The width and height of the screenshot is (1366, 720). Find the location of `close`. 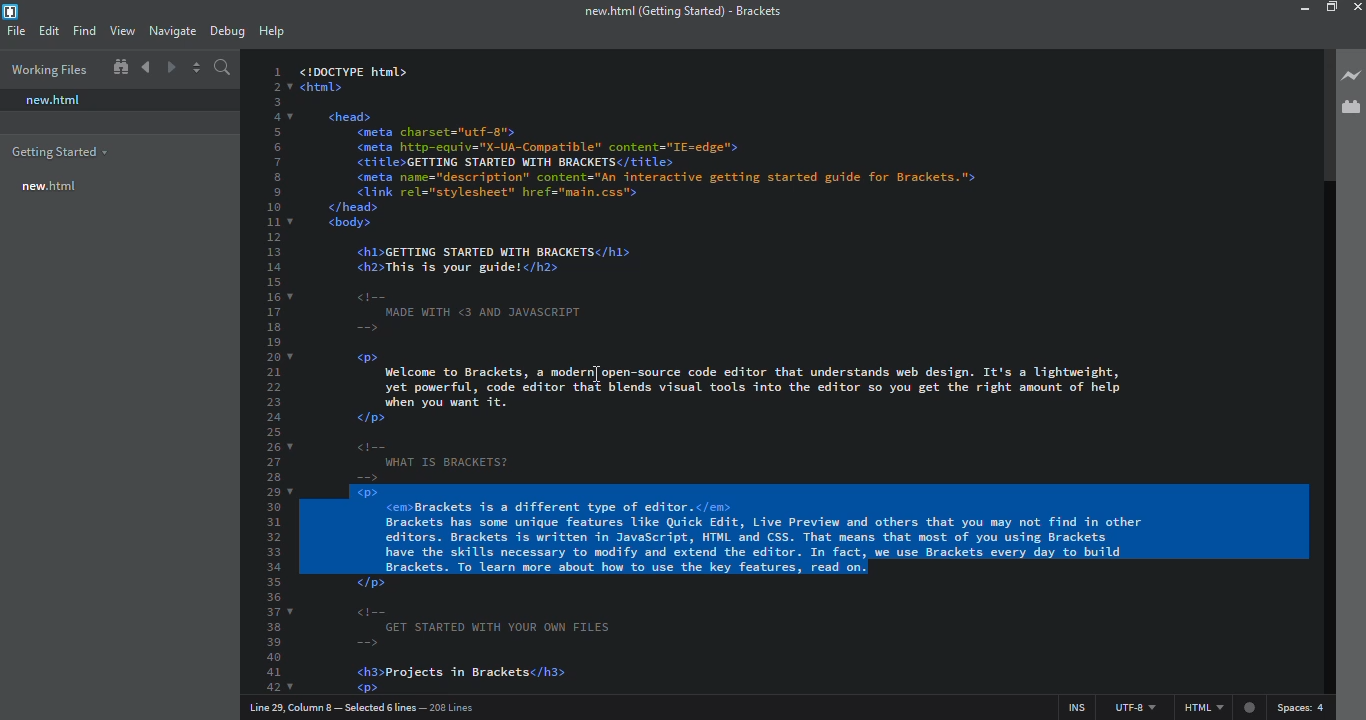

close is located at coordinates (1357, 5).